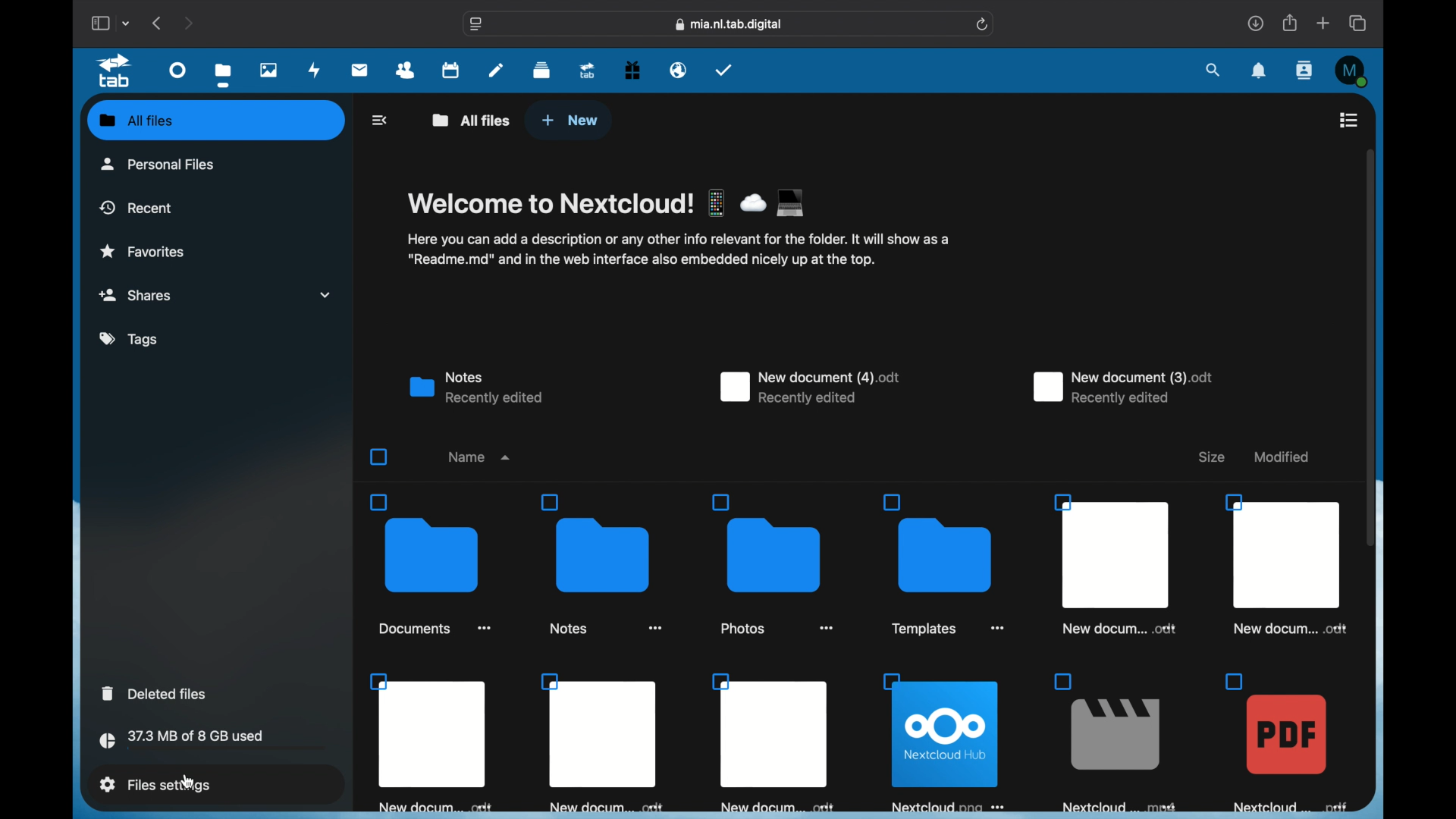 Image resolution: width=1456 pixels, height=819 pixels. What do you see at coordinates (679, 71) in the screenshot?
I see `email` at bounding box center [679, 71].